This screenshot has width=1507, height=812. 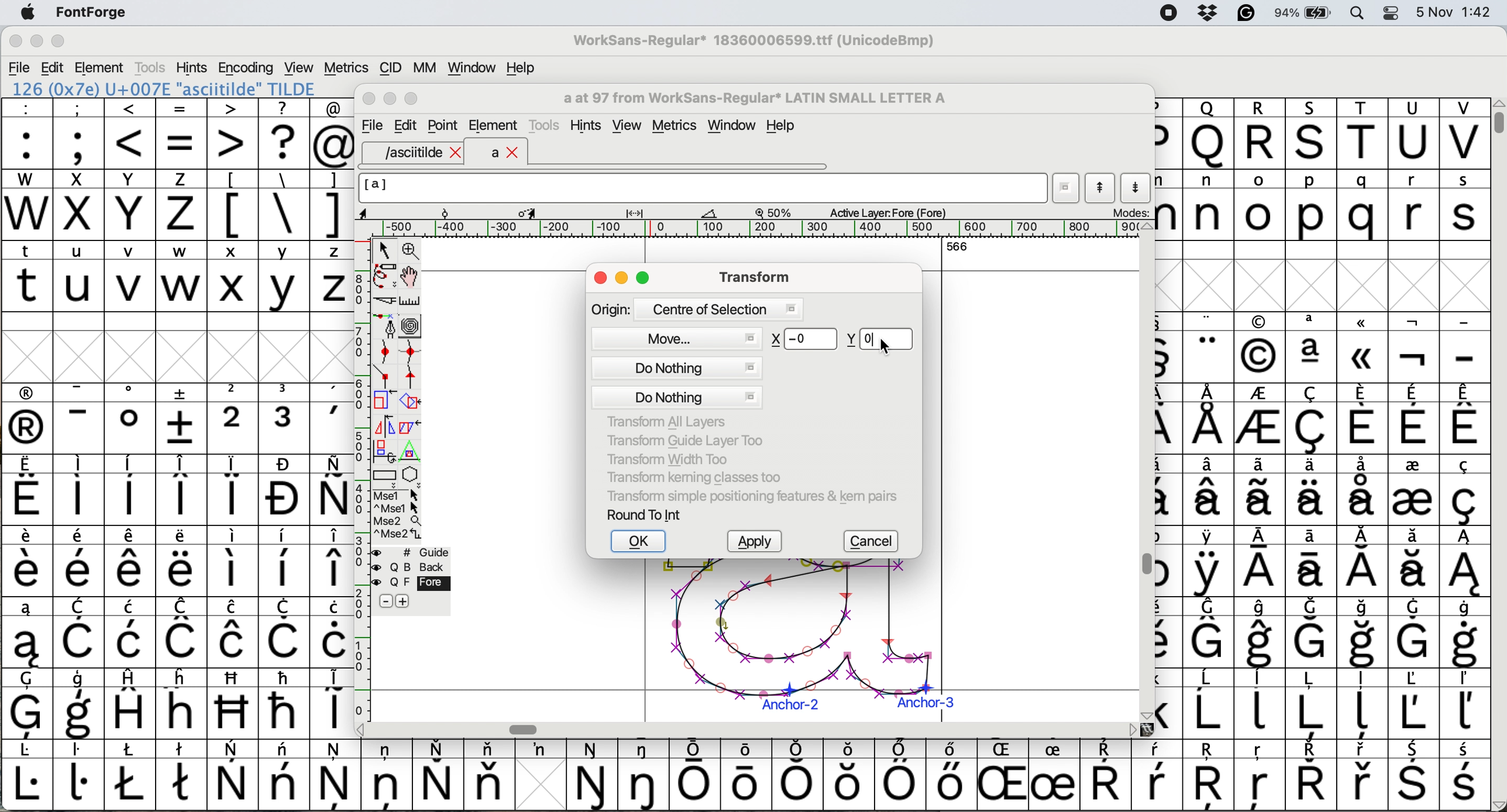 I want to click on element, so click(x=493, y=125).